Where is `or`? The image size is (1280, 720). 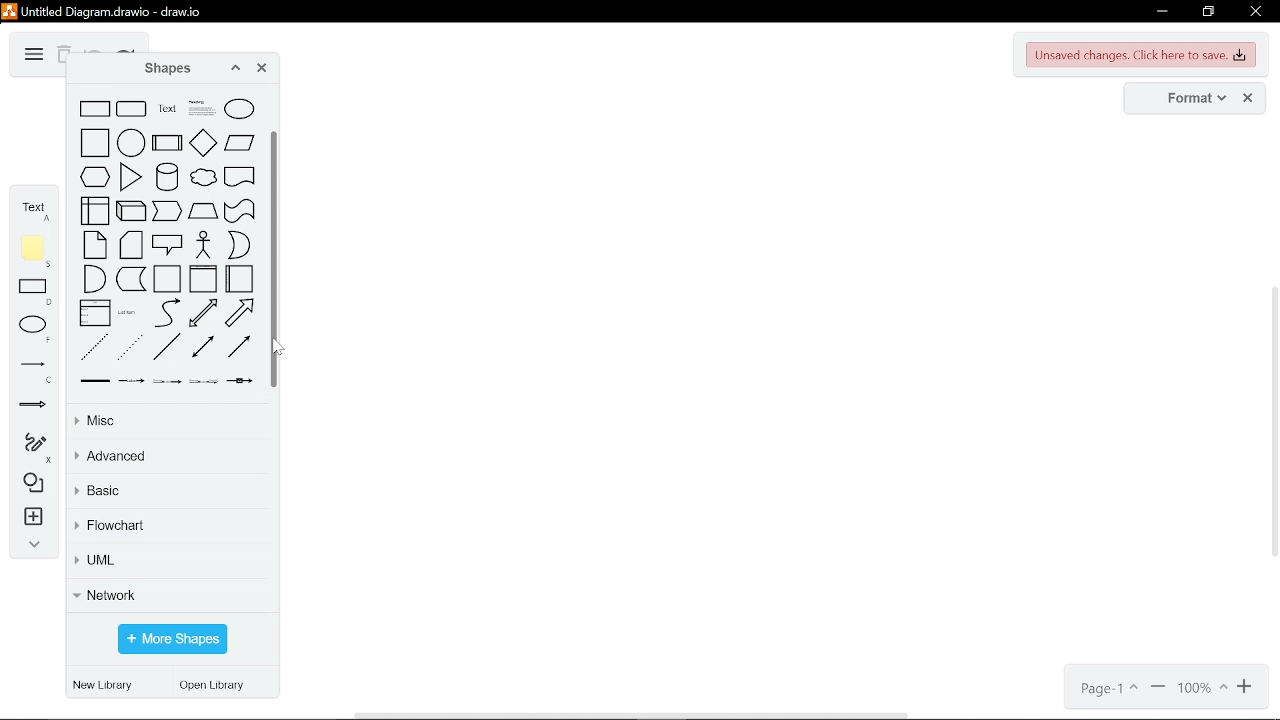 or is located at coordinates (239, 245).